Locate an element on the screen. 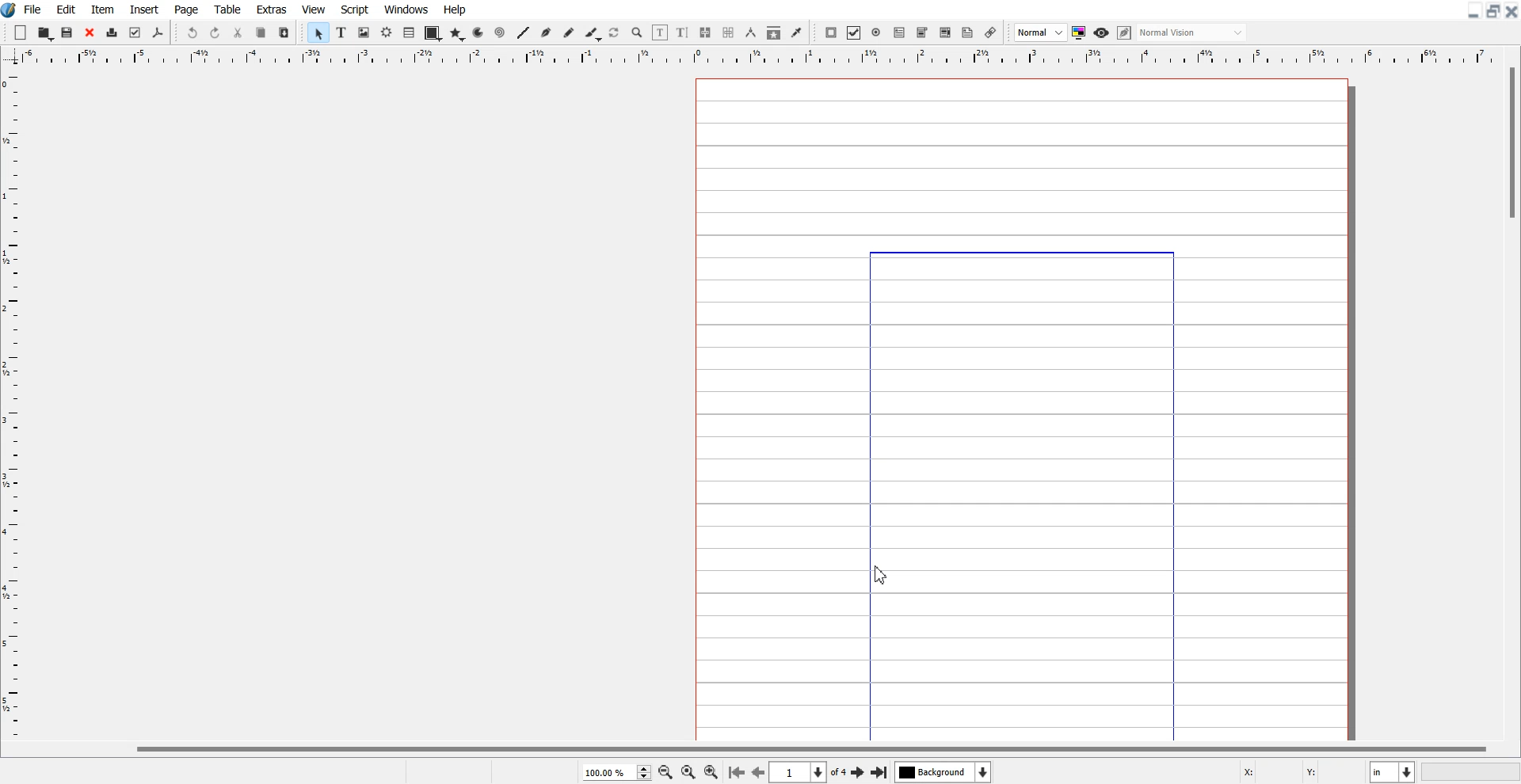 The height and width of the screenshot is (784, 1521). File is located at coordinates (34, 10).